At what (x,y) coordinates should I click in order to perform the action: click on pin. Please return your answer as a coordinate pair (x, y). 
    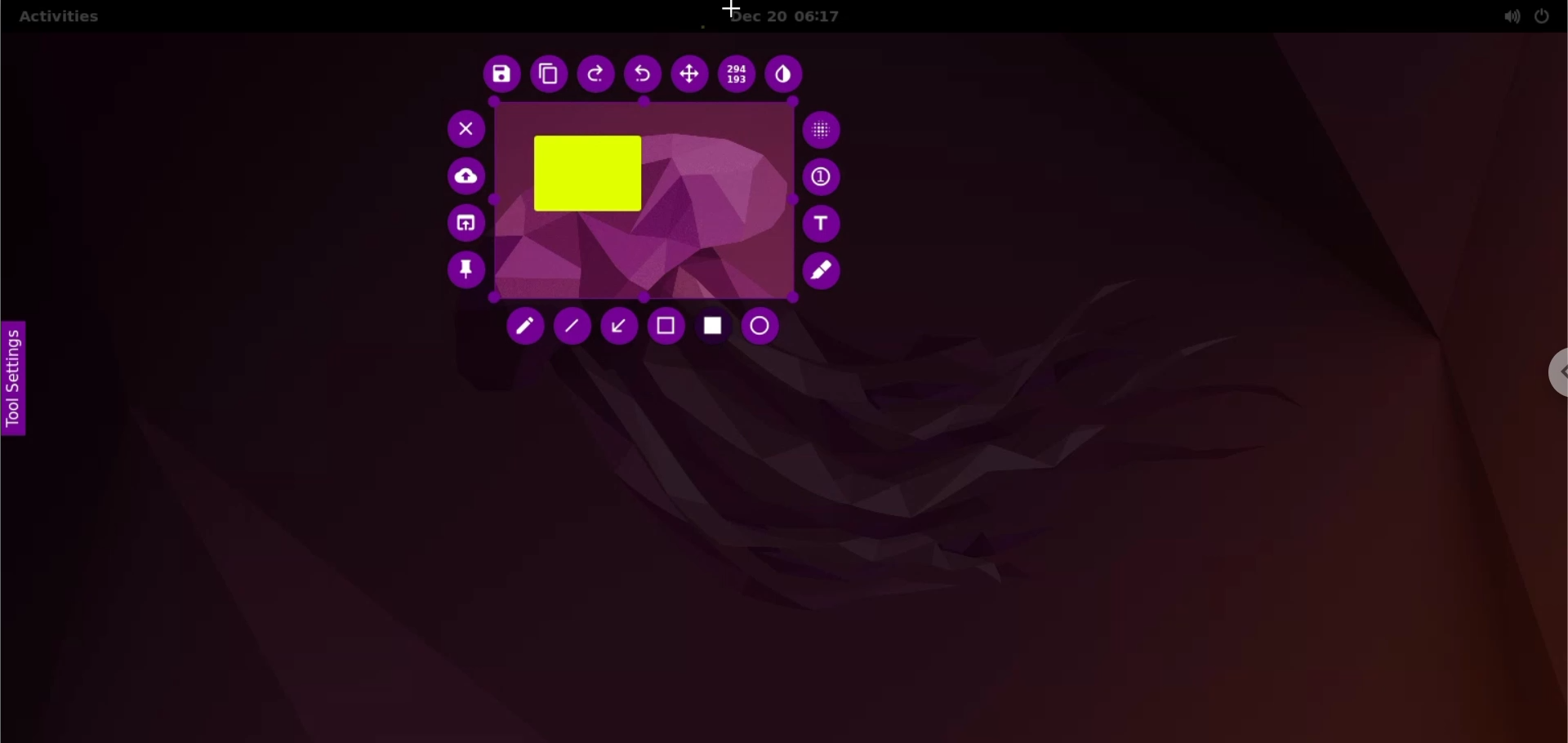
    Looking at the image, I should click on (465, 274).